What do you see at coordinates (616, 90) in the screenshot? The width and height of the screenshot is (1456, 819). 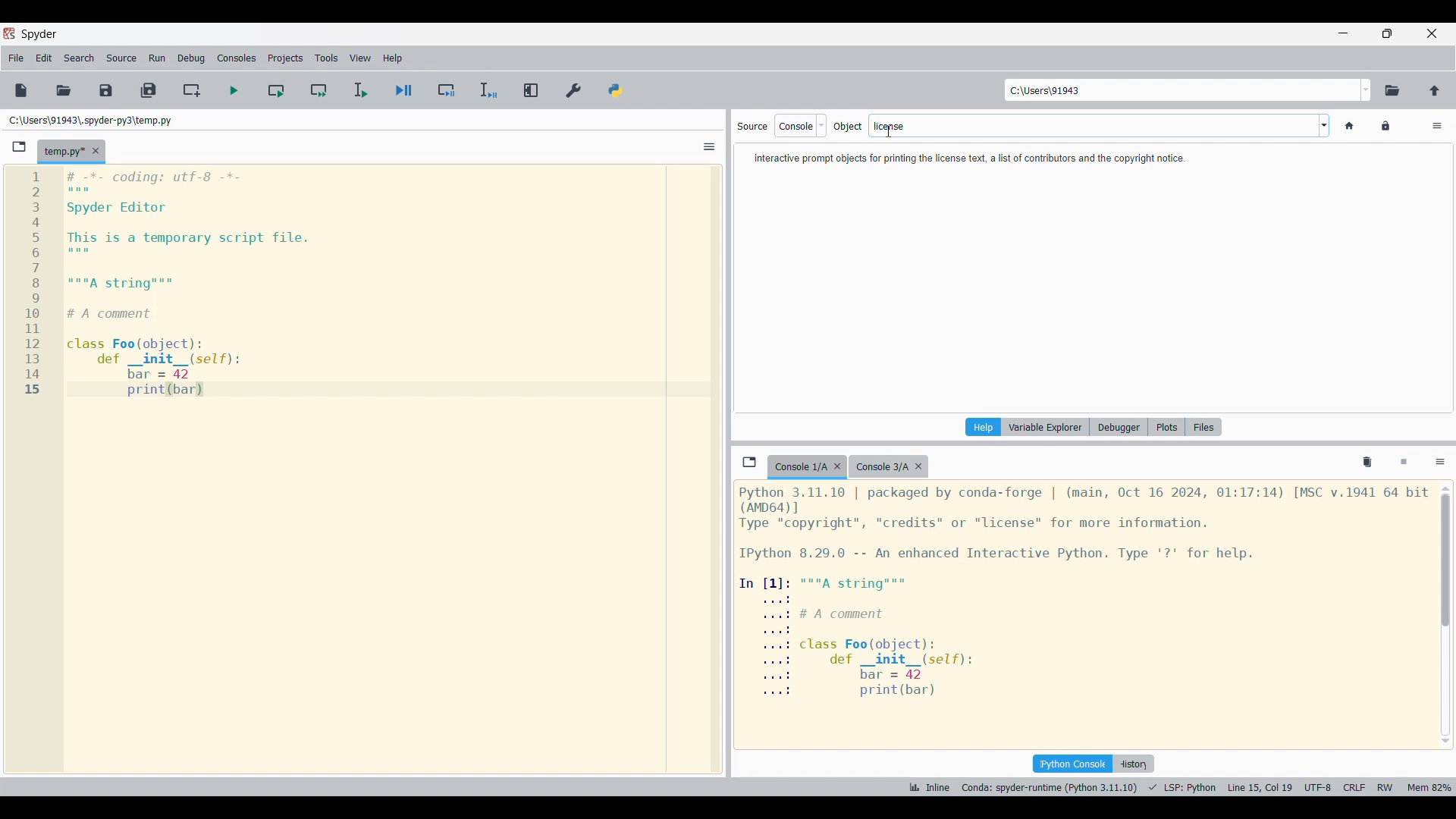 I see `PYTHONPATH manager` at bounding box center [616, 90].